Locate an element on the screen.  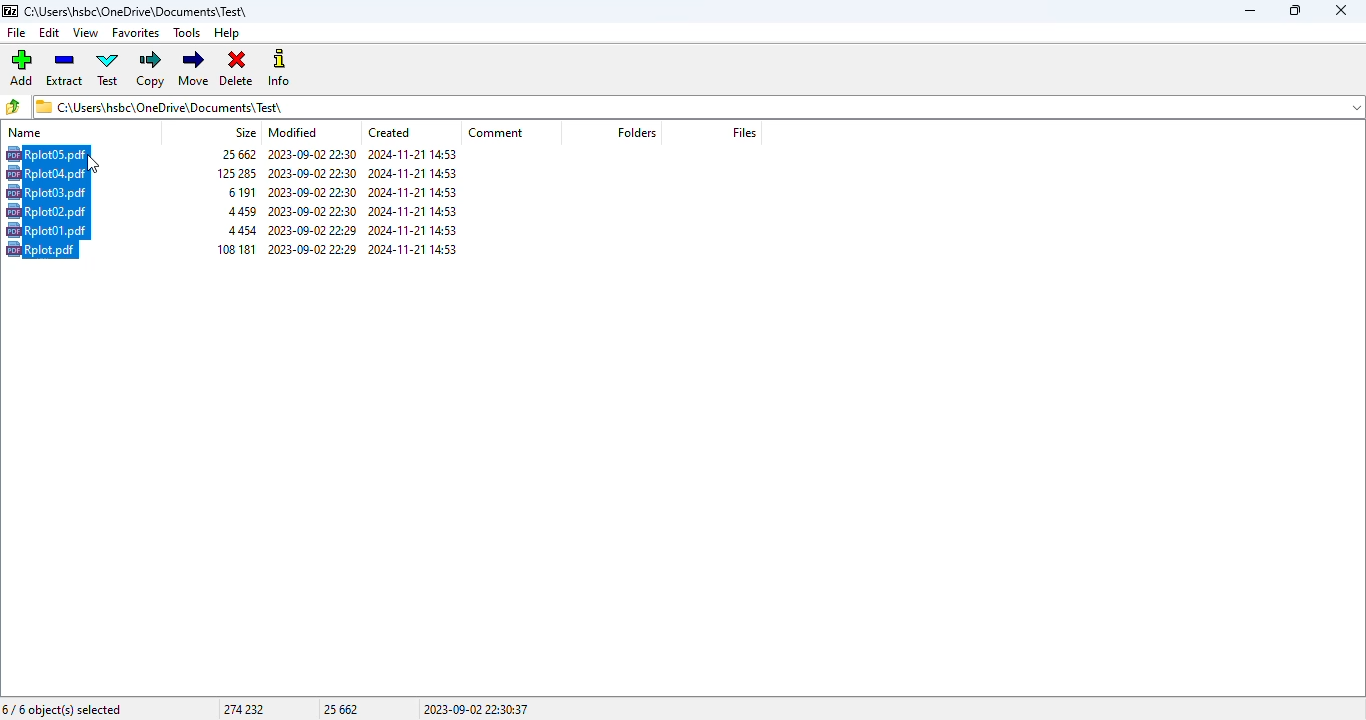
274 232 is located at coordinates (243, 709).